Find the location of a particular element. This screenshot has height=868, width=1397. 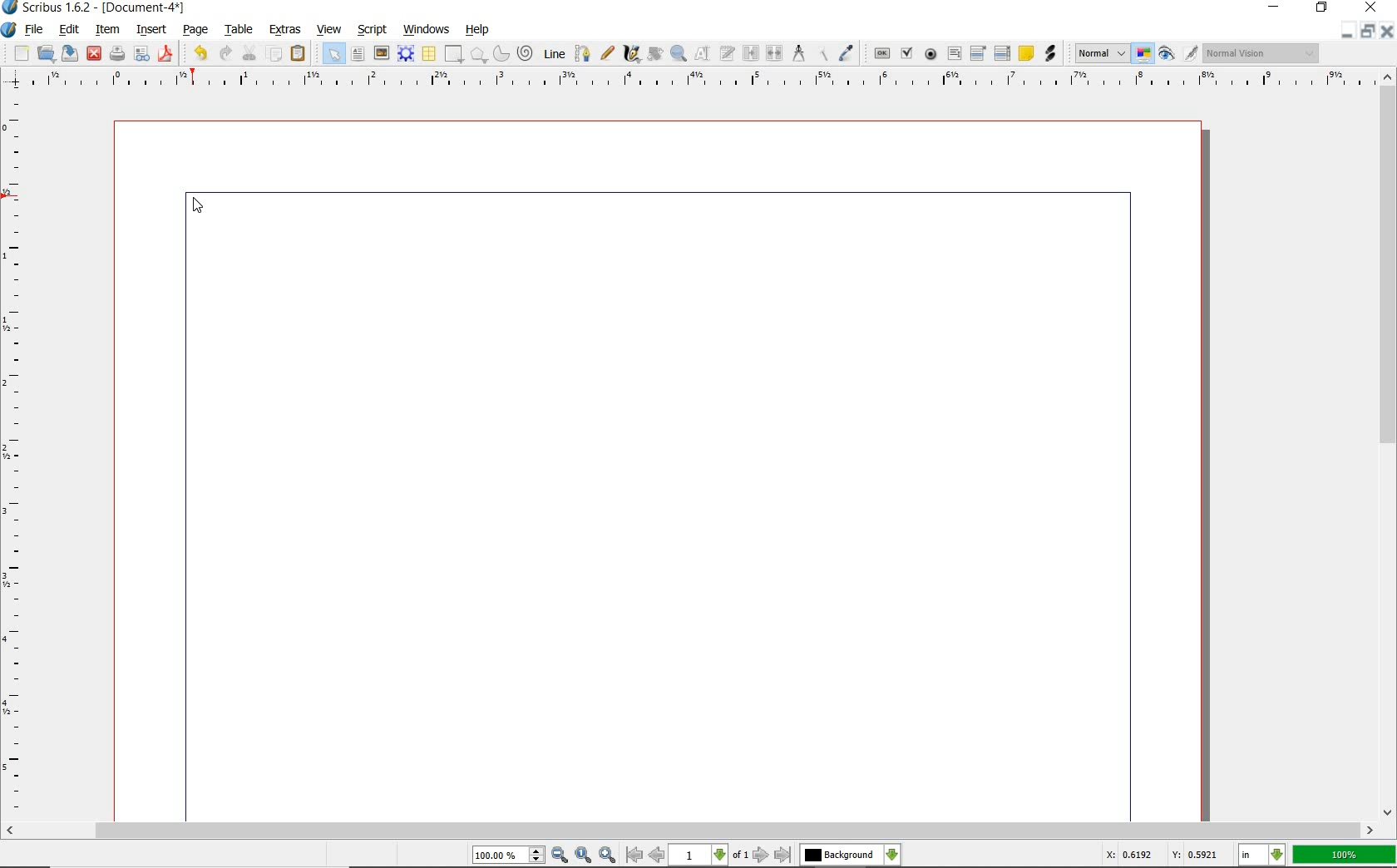

scrollbar is located at coordinates (1387, 445).